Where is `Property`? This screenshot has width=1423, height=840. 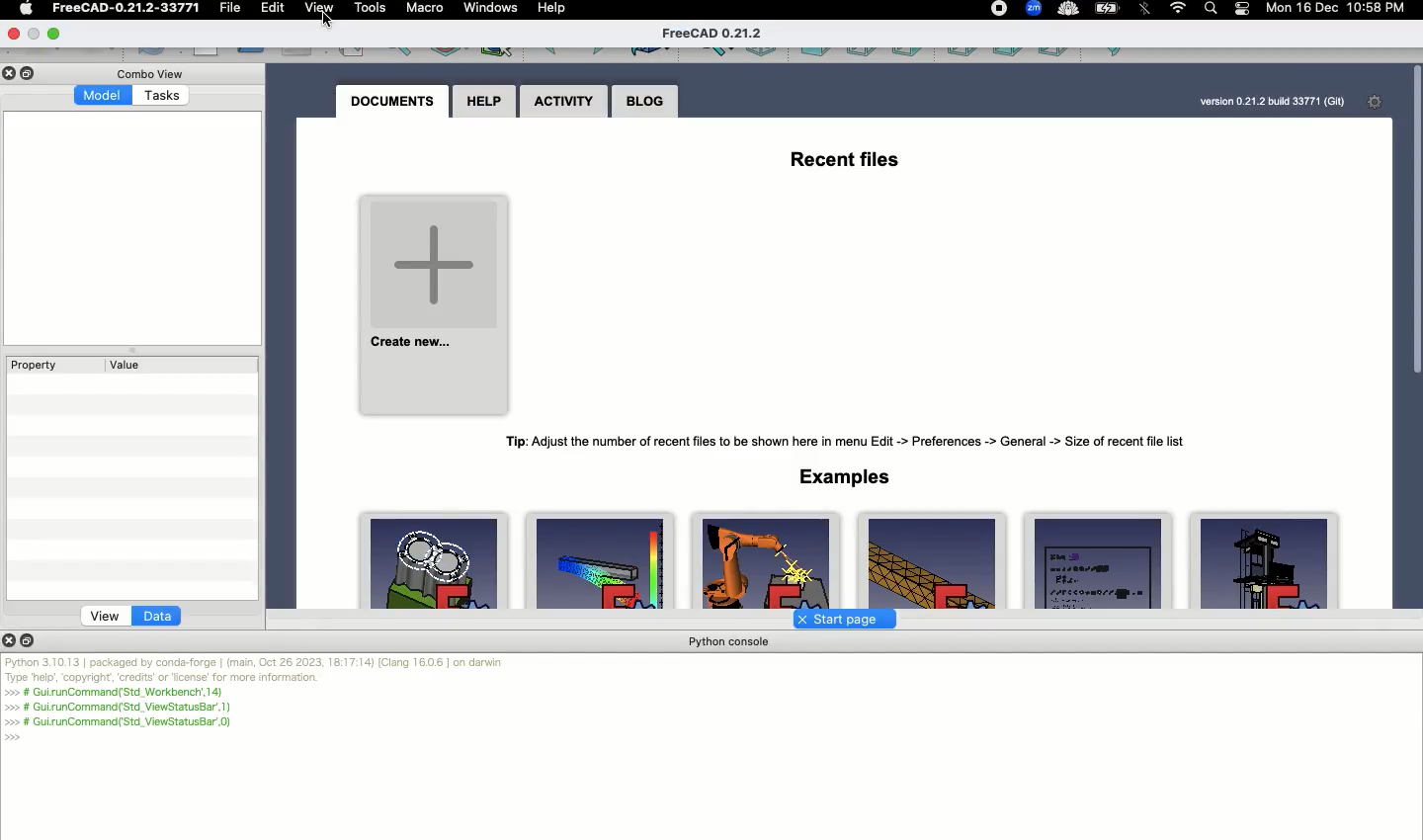 Property is located at coordinates (36, 365).